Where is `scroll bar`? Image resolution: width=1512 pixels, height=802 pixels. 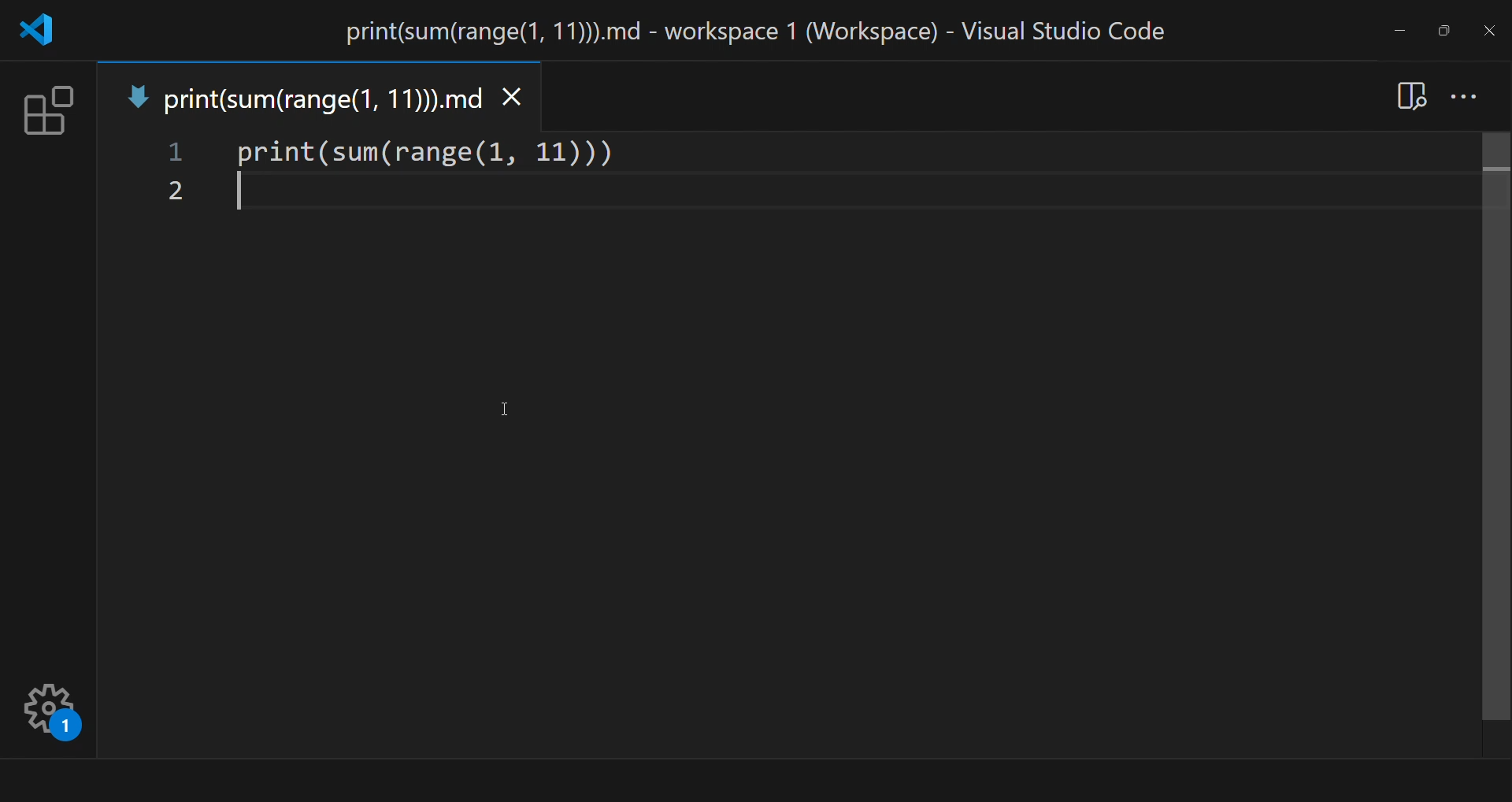 scroll bar is located at coordinates (1491, 428).